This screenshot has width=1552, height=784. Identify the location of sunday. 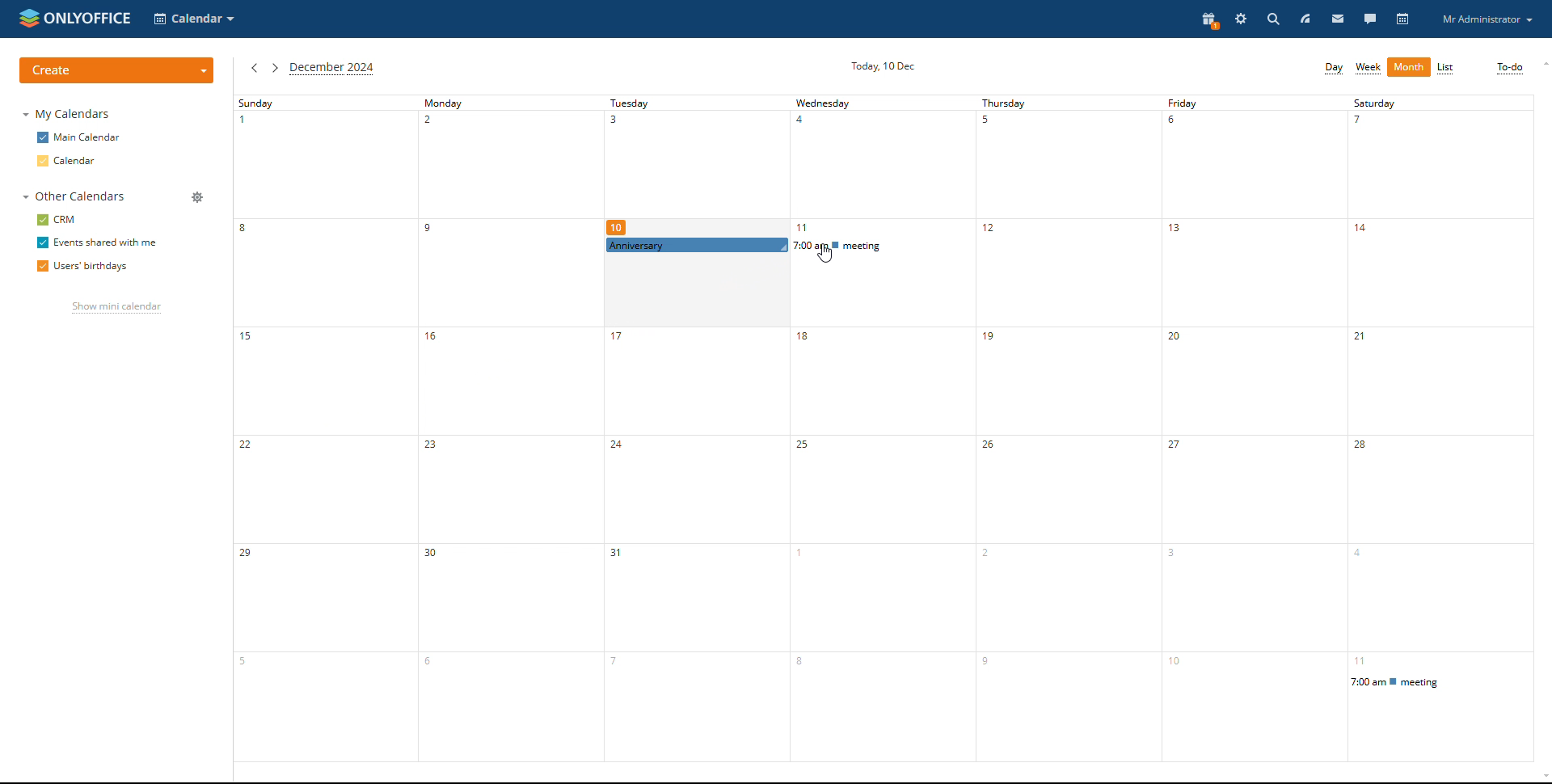
(321, 428).